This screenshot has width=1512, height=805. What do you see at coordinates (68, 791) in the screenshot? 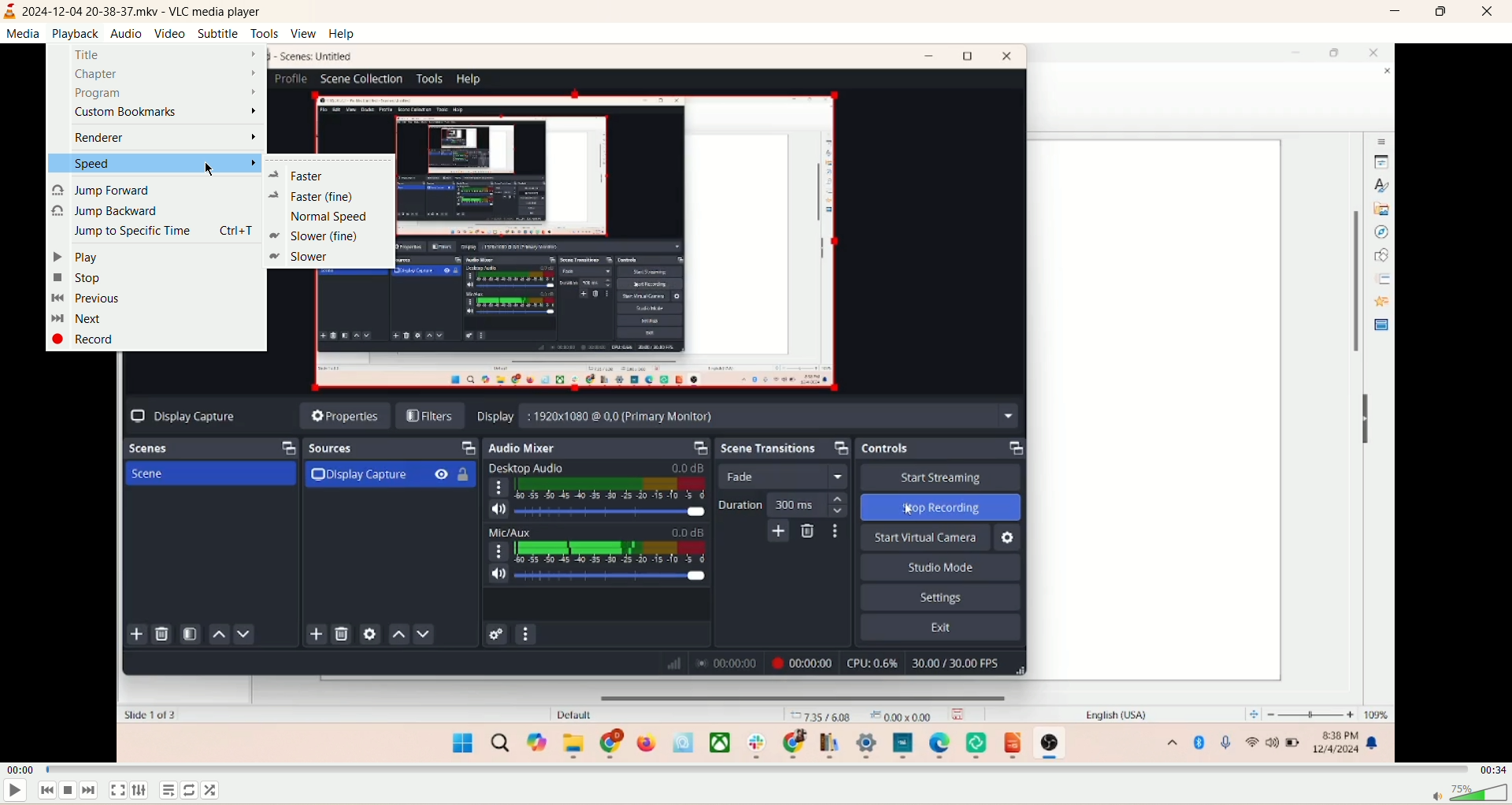
I see `stop` at bounding box center [68, 791].